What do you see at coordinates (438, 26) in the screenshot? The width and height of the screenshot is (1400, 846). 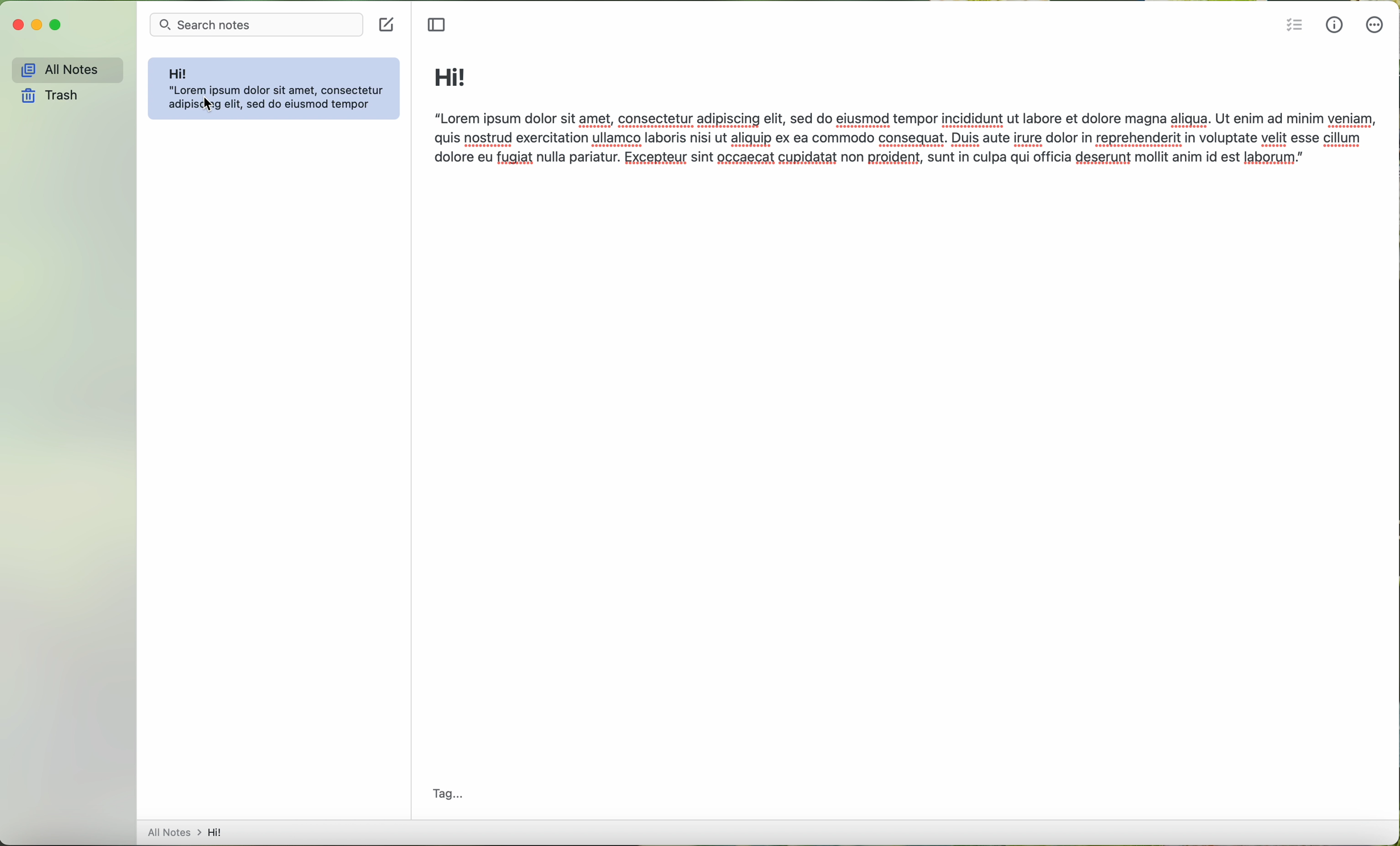 I see `toggle sidebar` at bounding box center [438, 26].